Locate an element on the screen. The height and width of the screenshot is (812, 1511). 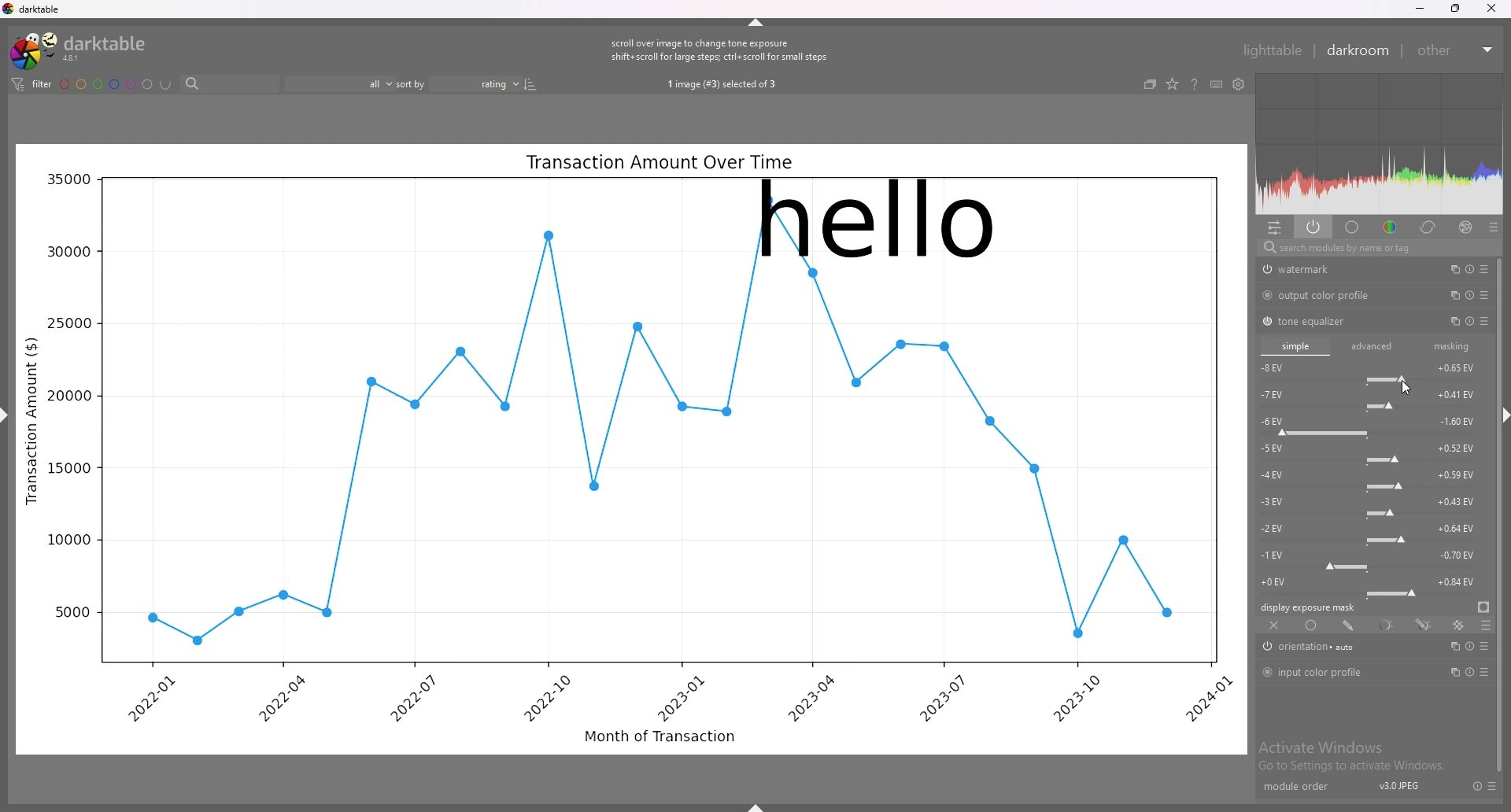
show only active modules is located at coordinates (1314, 228).